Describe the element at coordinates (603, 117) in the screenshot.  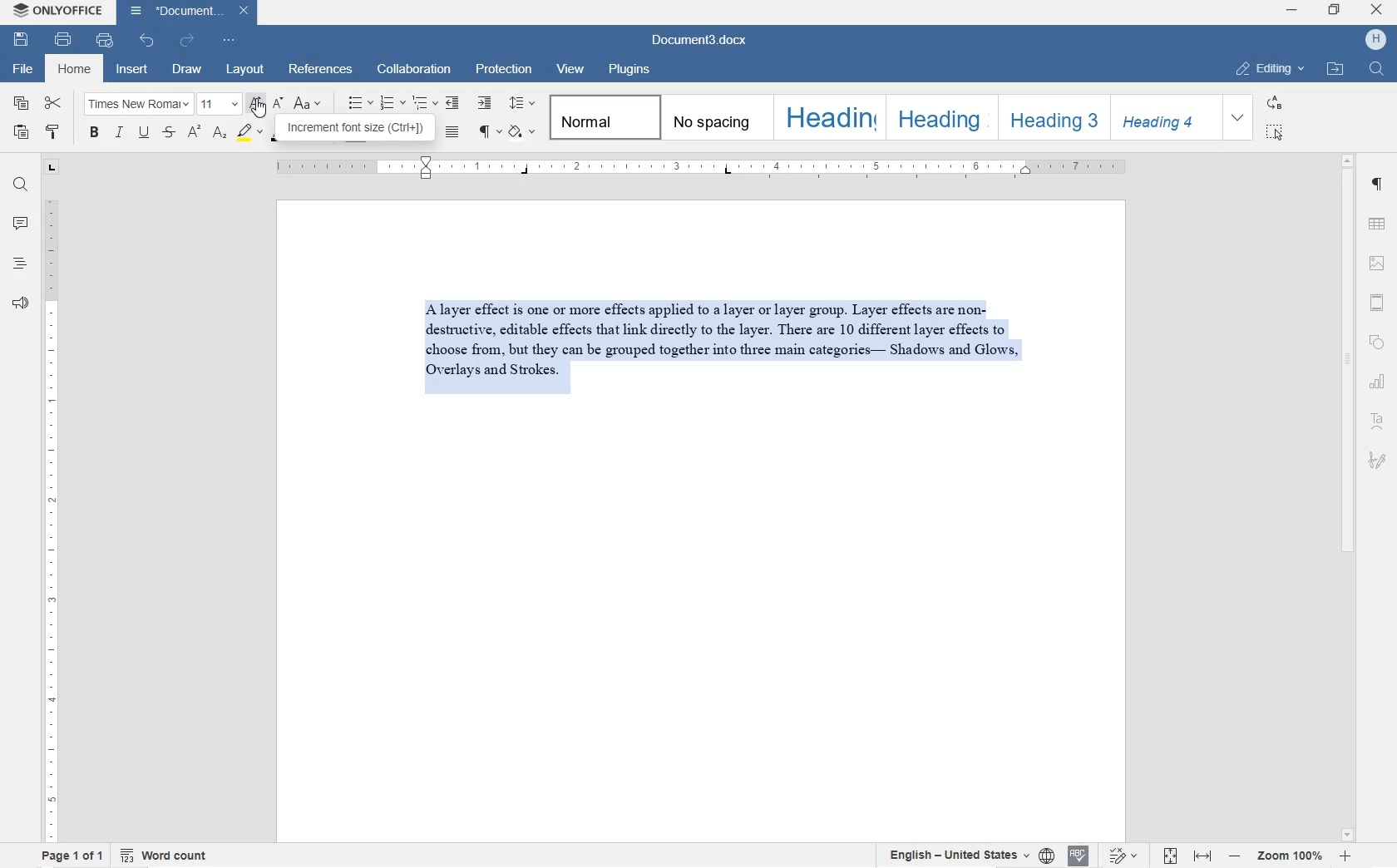
I see `NORMAL` at that location.